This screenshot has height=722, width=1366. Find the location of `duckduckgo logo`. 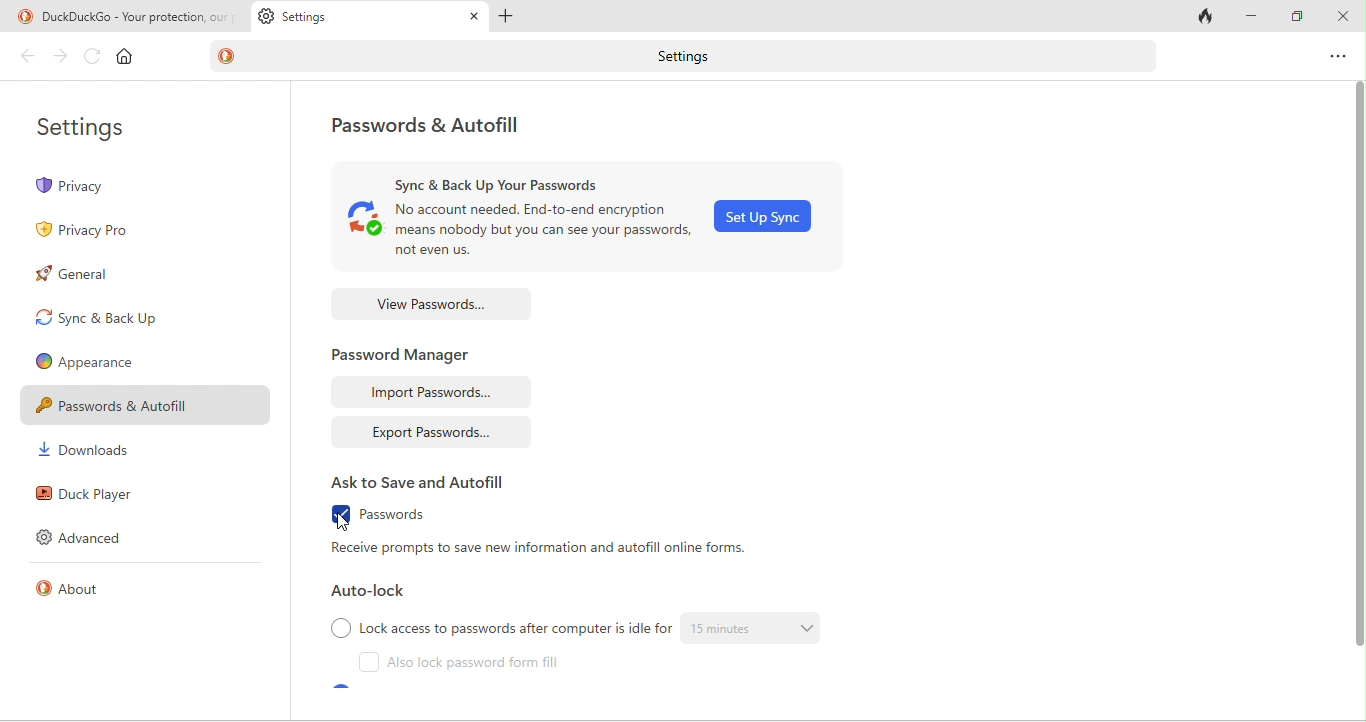

duckduckgo logo is located at coordinates (20, 17).